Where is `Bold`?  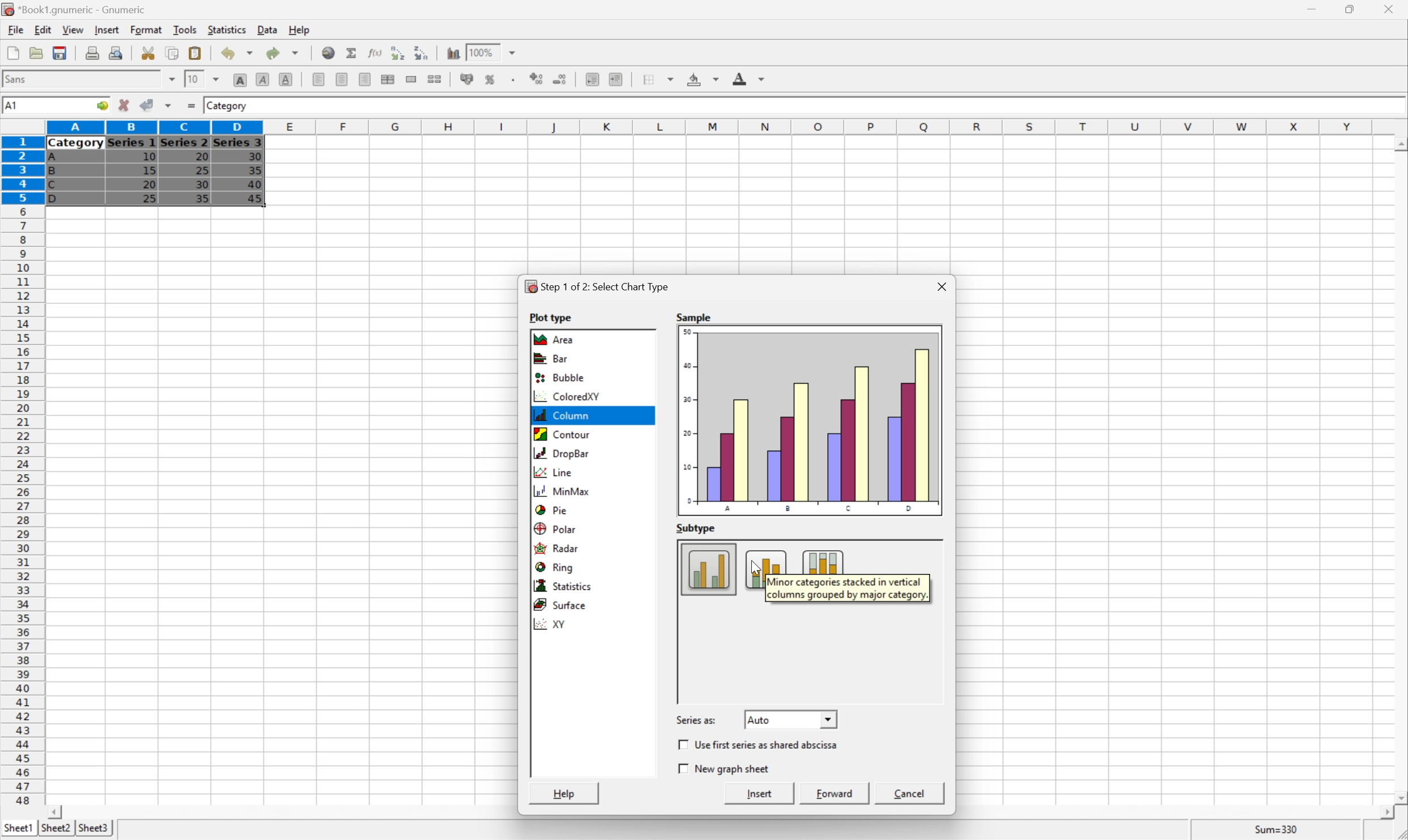
Bold is located at coordinates (241, 78).